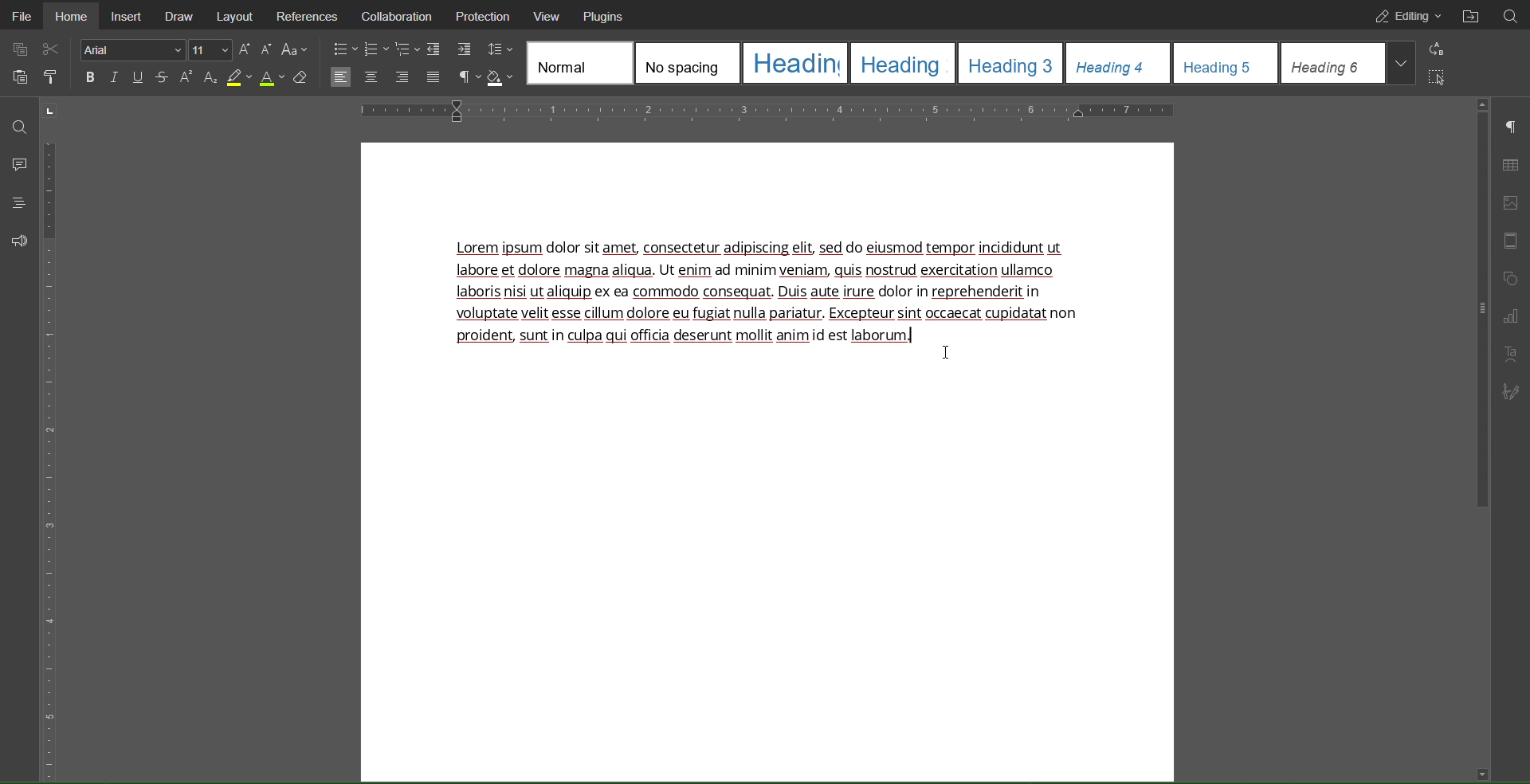 This screenshot has width=1530, height=784. What do you see at coordinates (115, 80) in the screenshot?
I see `I` at bounding box center [115, 80].